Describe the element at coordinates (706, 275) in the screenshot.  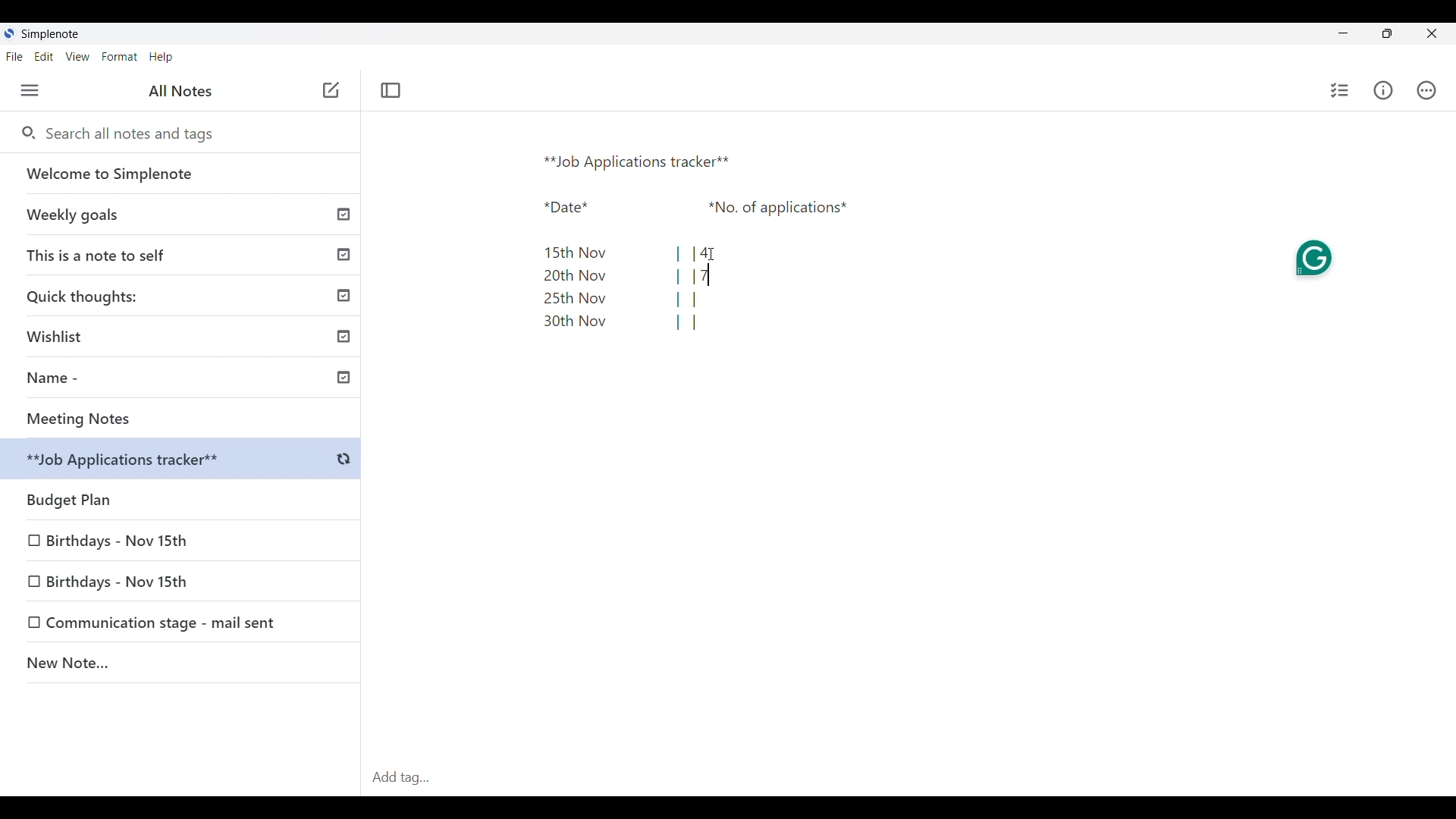
I see `Text cursor` at that location.